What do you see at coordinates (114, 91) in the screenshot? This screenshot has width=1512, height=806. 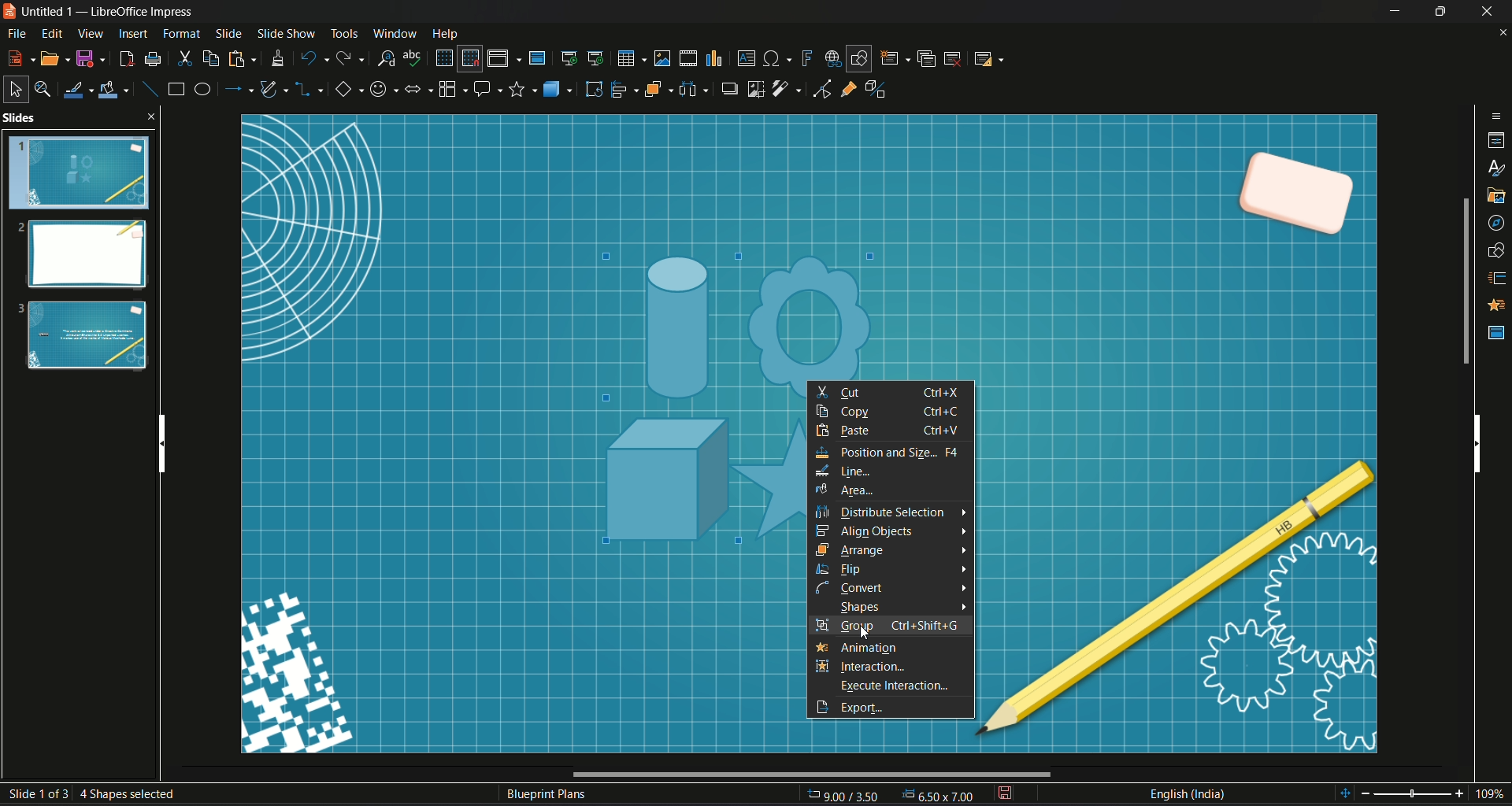 I see `fill color` at bounding box center [114, 91].